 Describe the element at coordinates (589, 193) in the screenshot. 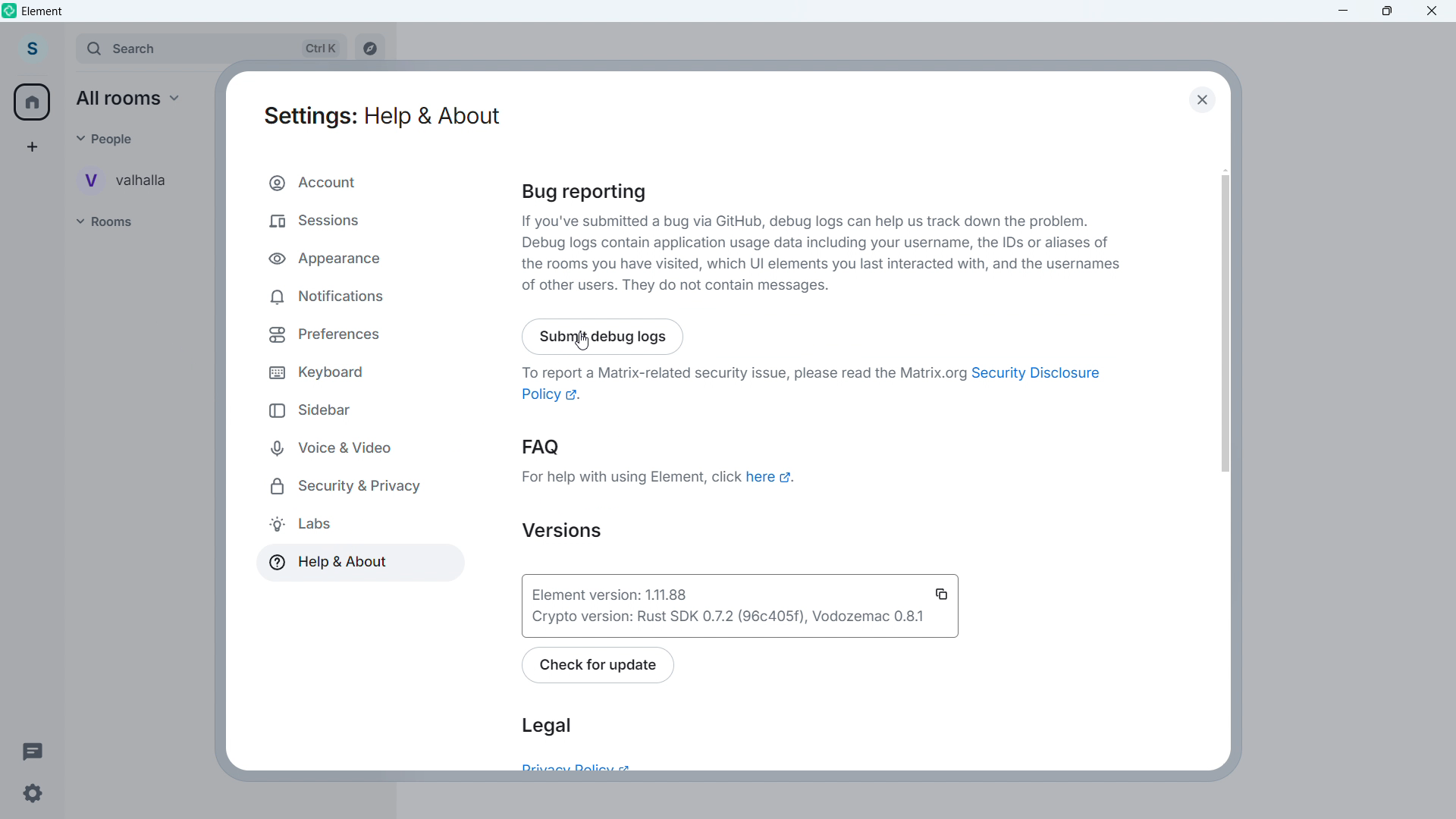

I see `Bug reporting ` at that location.